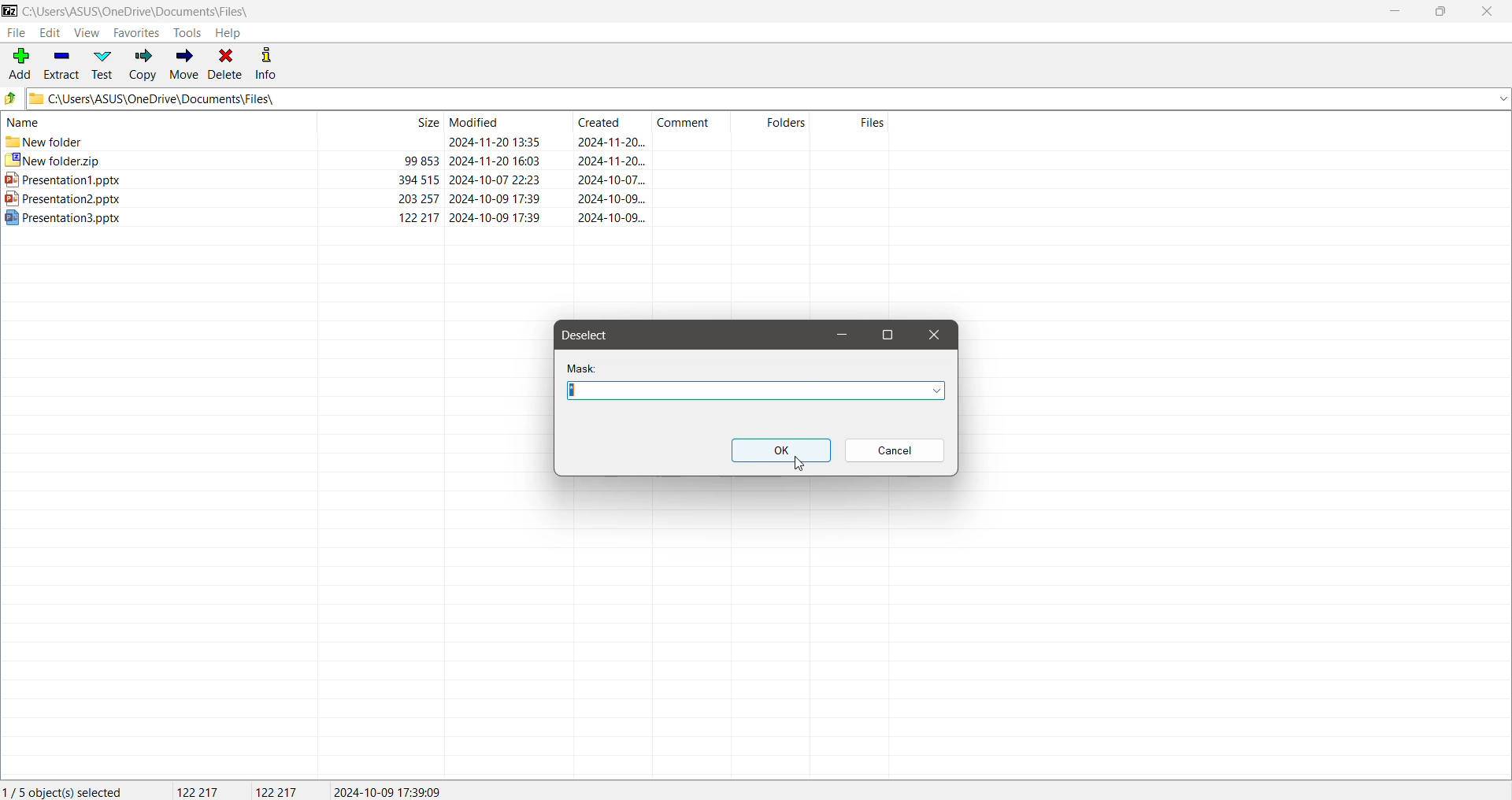  Describe the element at coordinates (157, 120) in the screenshot. I see `File Names` at that location.